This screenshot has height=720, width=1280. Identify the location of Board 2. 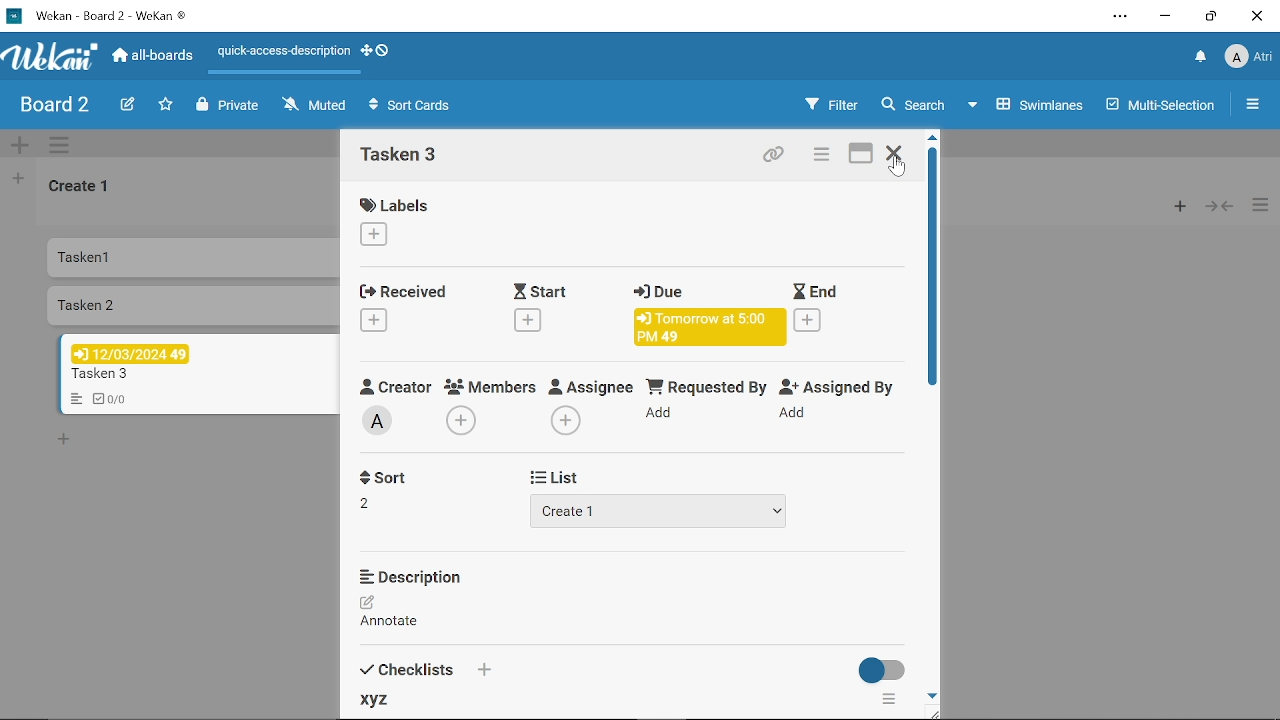
(54, 106).